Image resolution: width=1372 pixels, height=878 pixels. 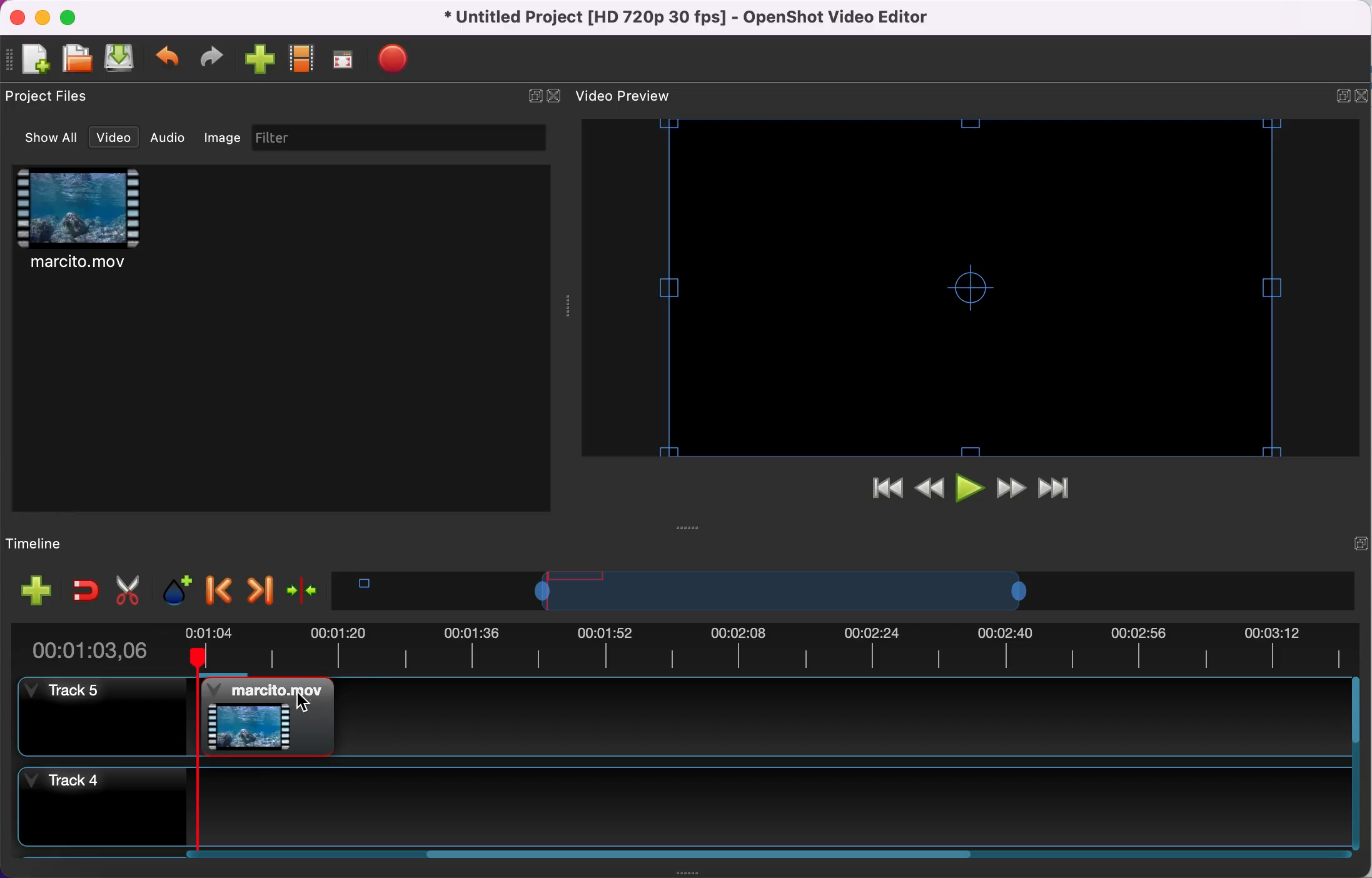 I want to click on previous marker, so click(x=217, y=587).